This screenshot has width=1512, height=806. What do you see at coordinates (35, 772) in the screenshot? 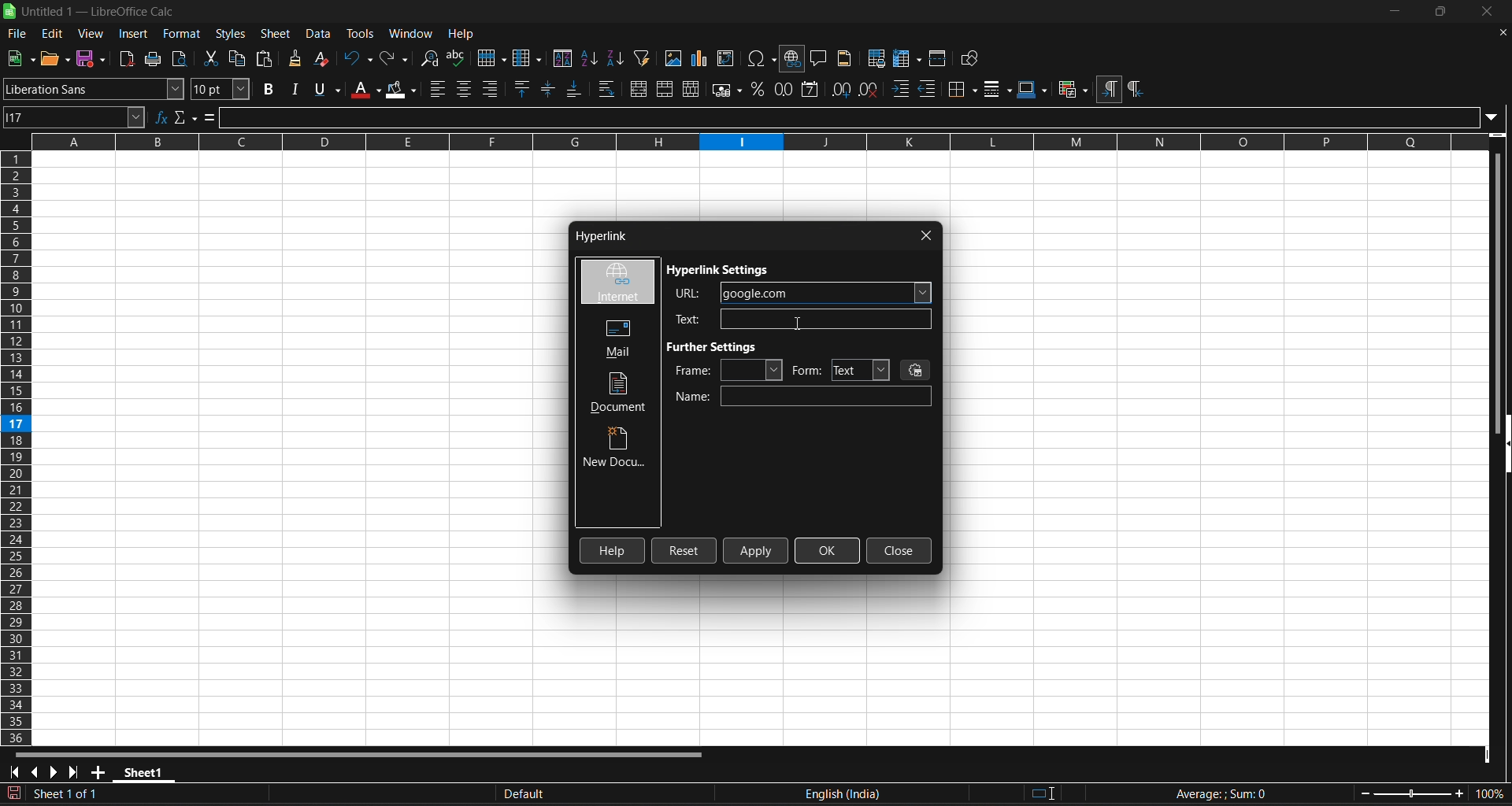
I see `scroll to previous sheet` at bounding box center [35, 772].